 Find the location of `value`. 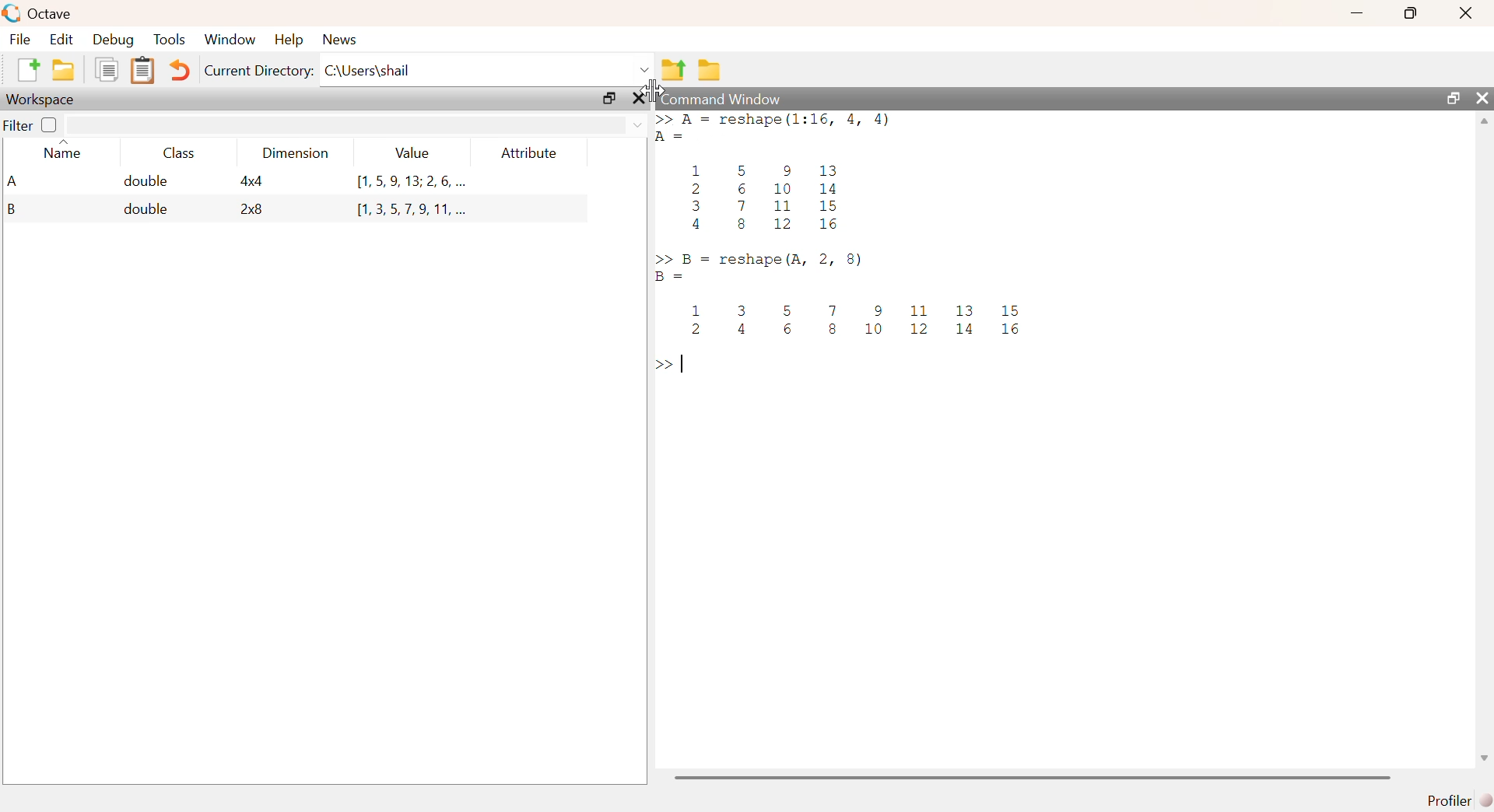

value is located at coordinates (414, 154).